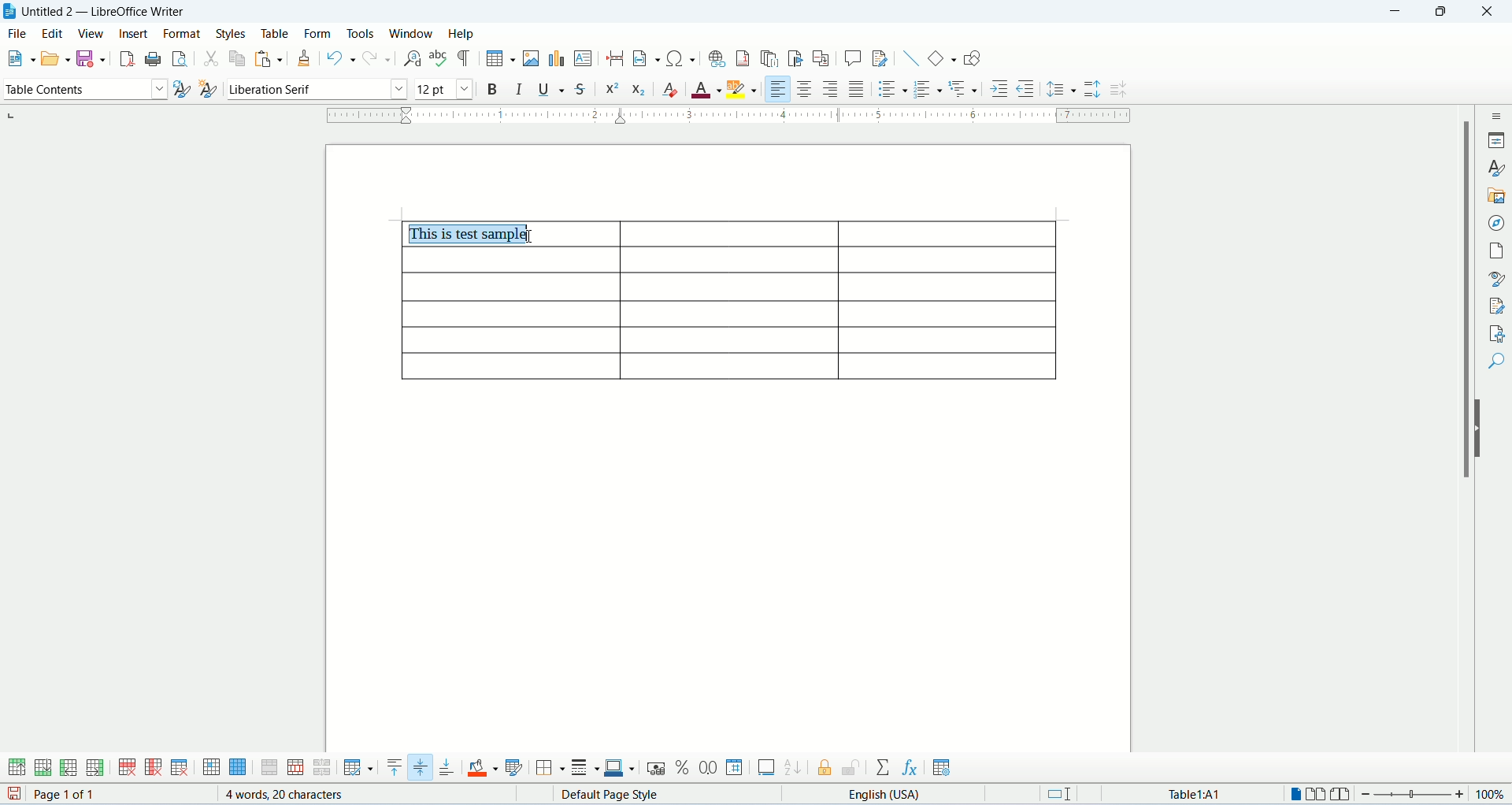 The width and height of the screenshot is (1512, 805). Describe the element at coordinates (1498, 169) in the screenshot. I see `styles` at that location.